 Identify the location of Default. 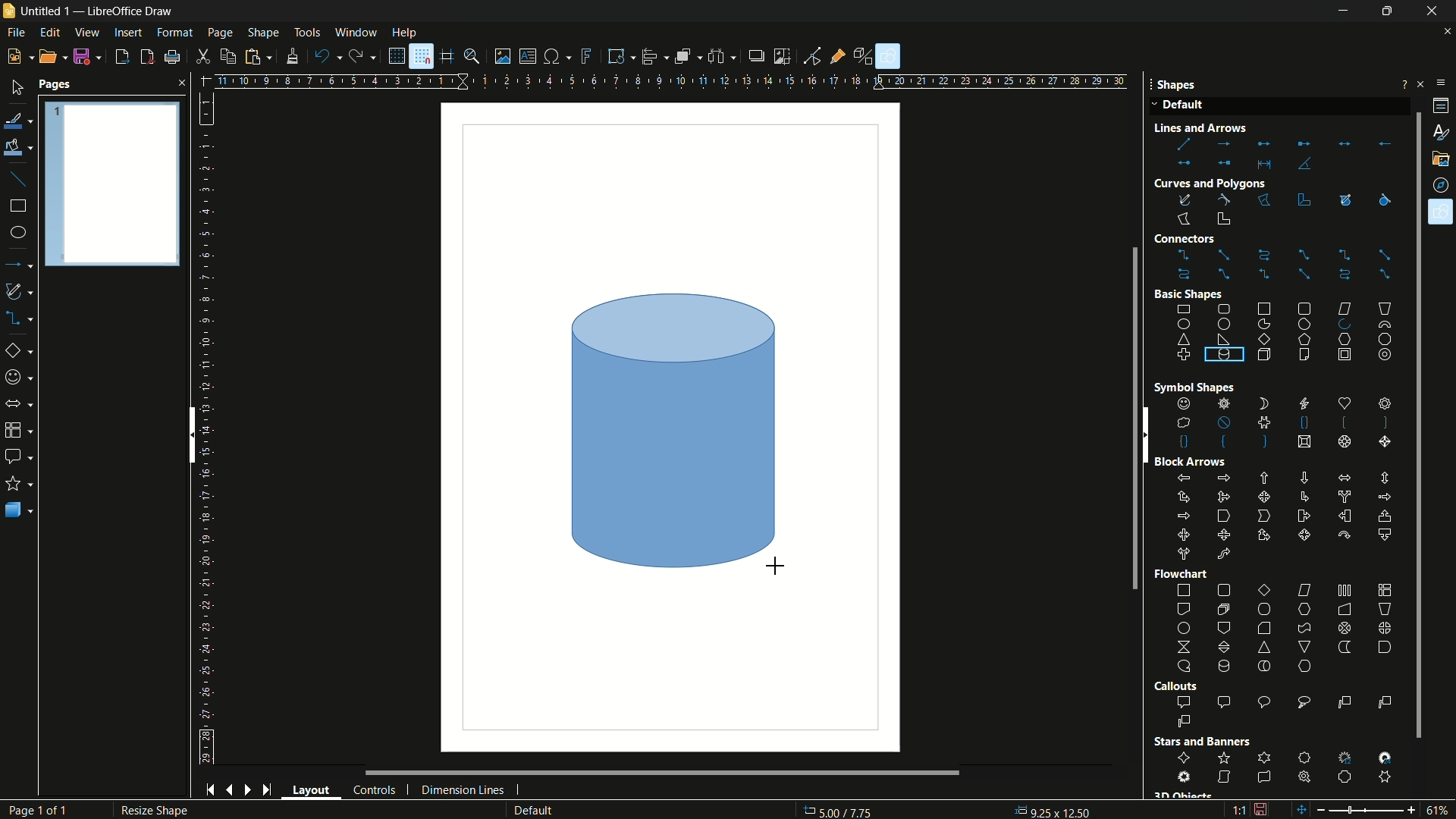
(1180, 106).